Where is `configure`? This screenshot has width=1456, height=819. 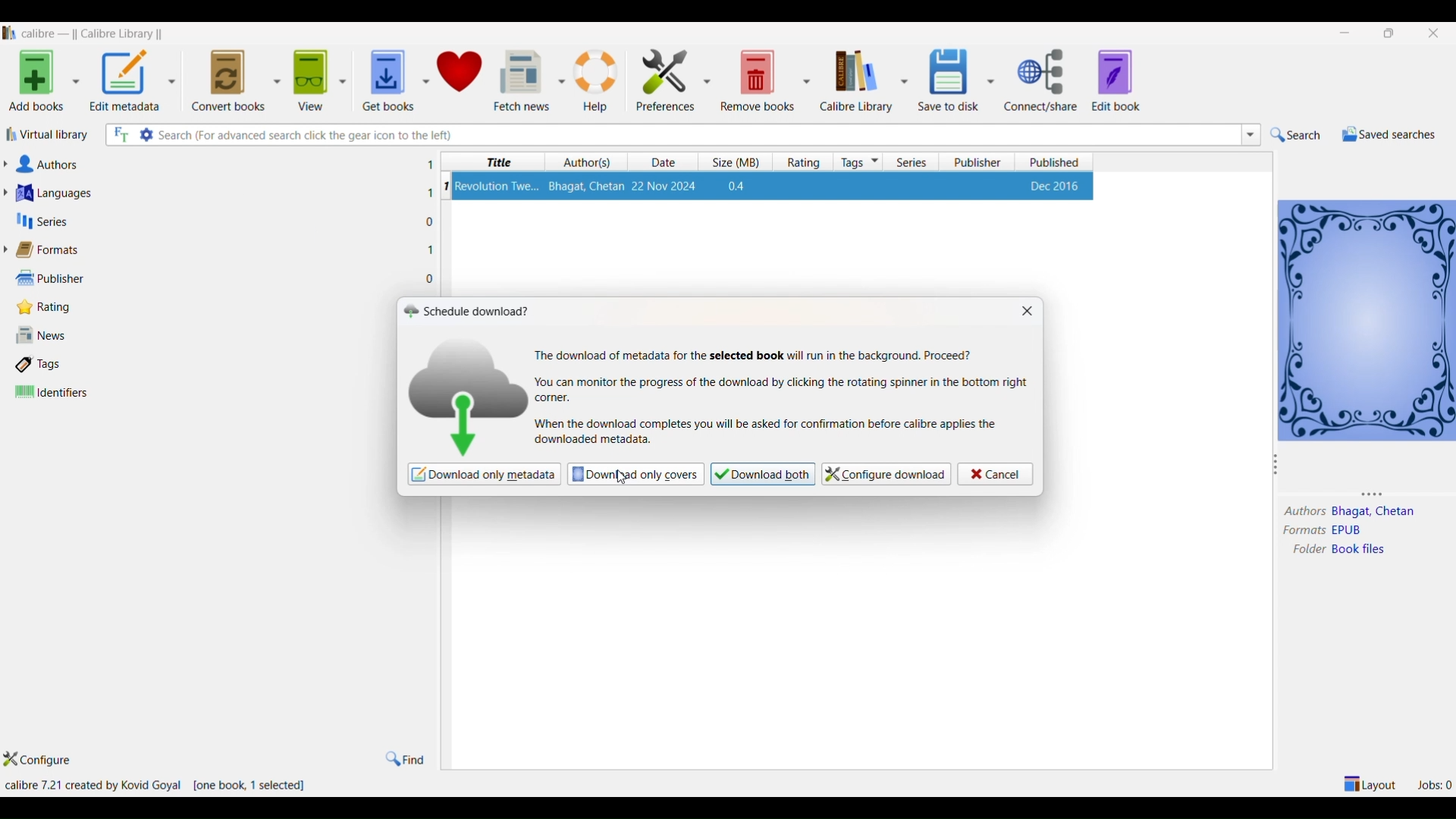 configure is located at coordinates (46, 761).